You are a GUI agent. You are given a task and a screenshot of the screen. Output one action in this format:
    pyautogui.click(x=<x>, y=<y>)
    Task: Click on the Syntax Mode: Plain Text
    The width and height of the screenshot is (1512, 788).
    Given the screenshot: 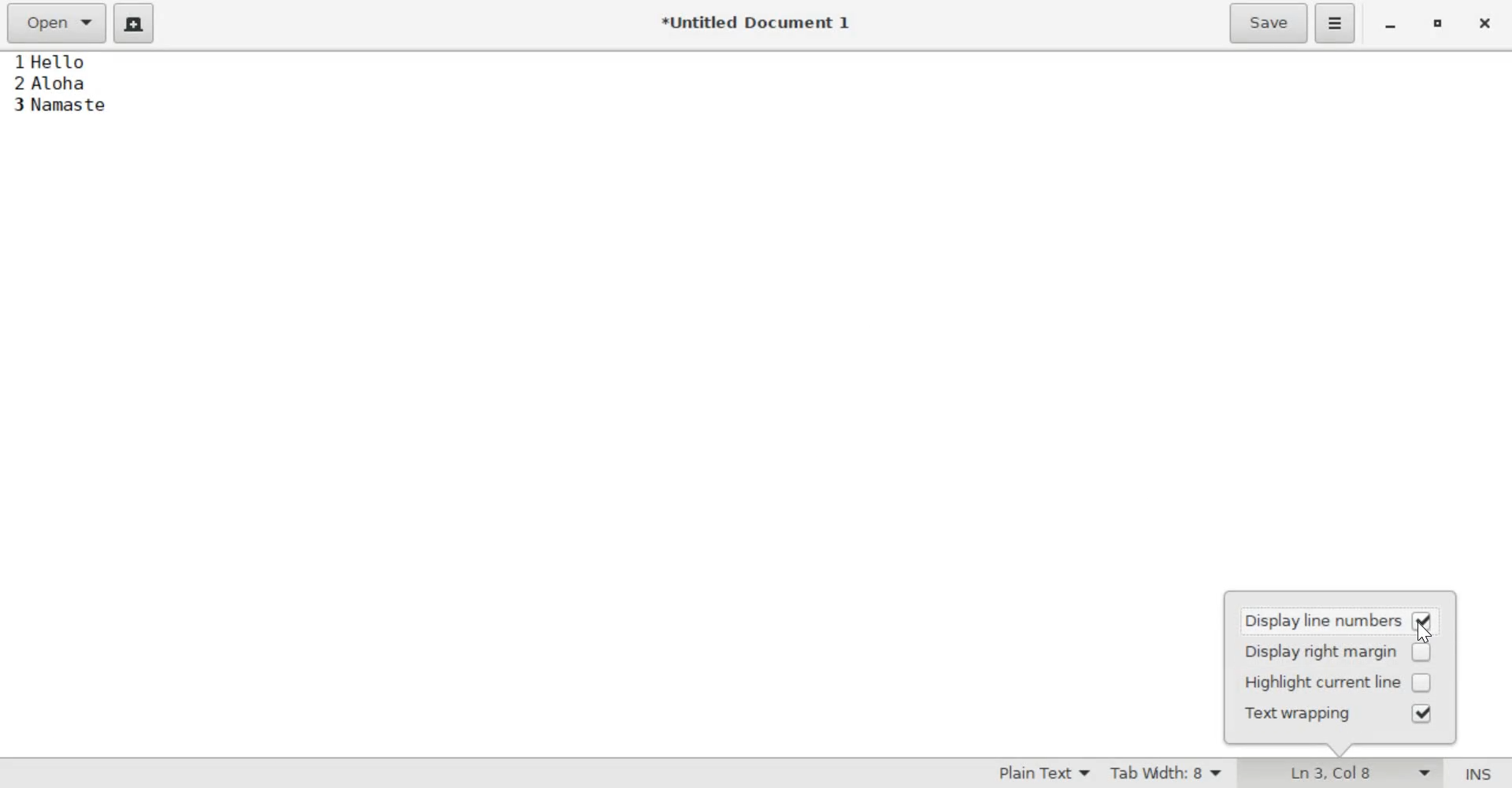 What is the action you would take?
    pyautogui.click(x=1041, y=772)
    